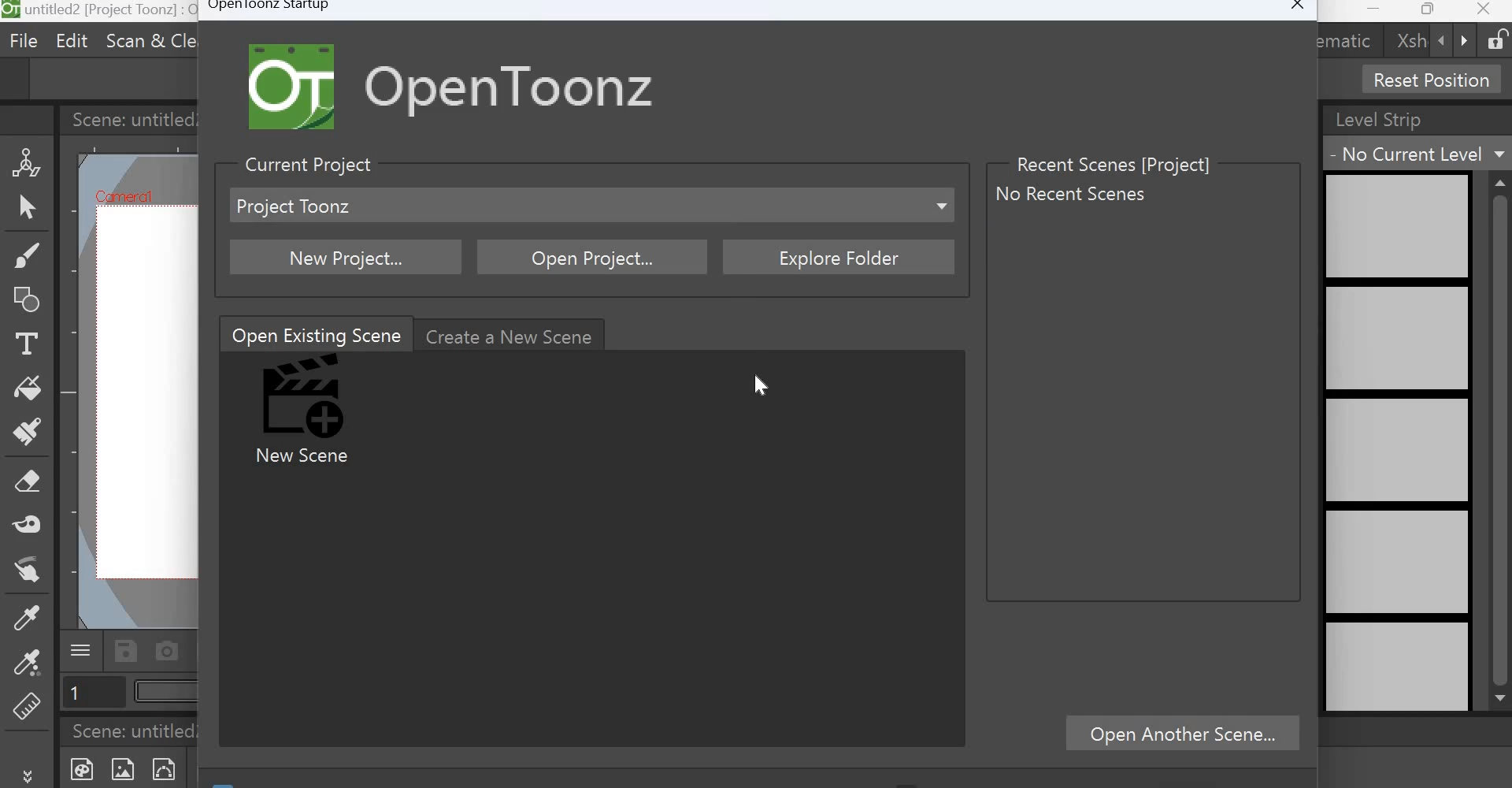  What do you see at coordinates (33, 575) in the screenshot?
I see `Finger tool` at bounding box center [33, 575].